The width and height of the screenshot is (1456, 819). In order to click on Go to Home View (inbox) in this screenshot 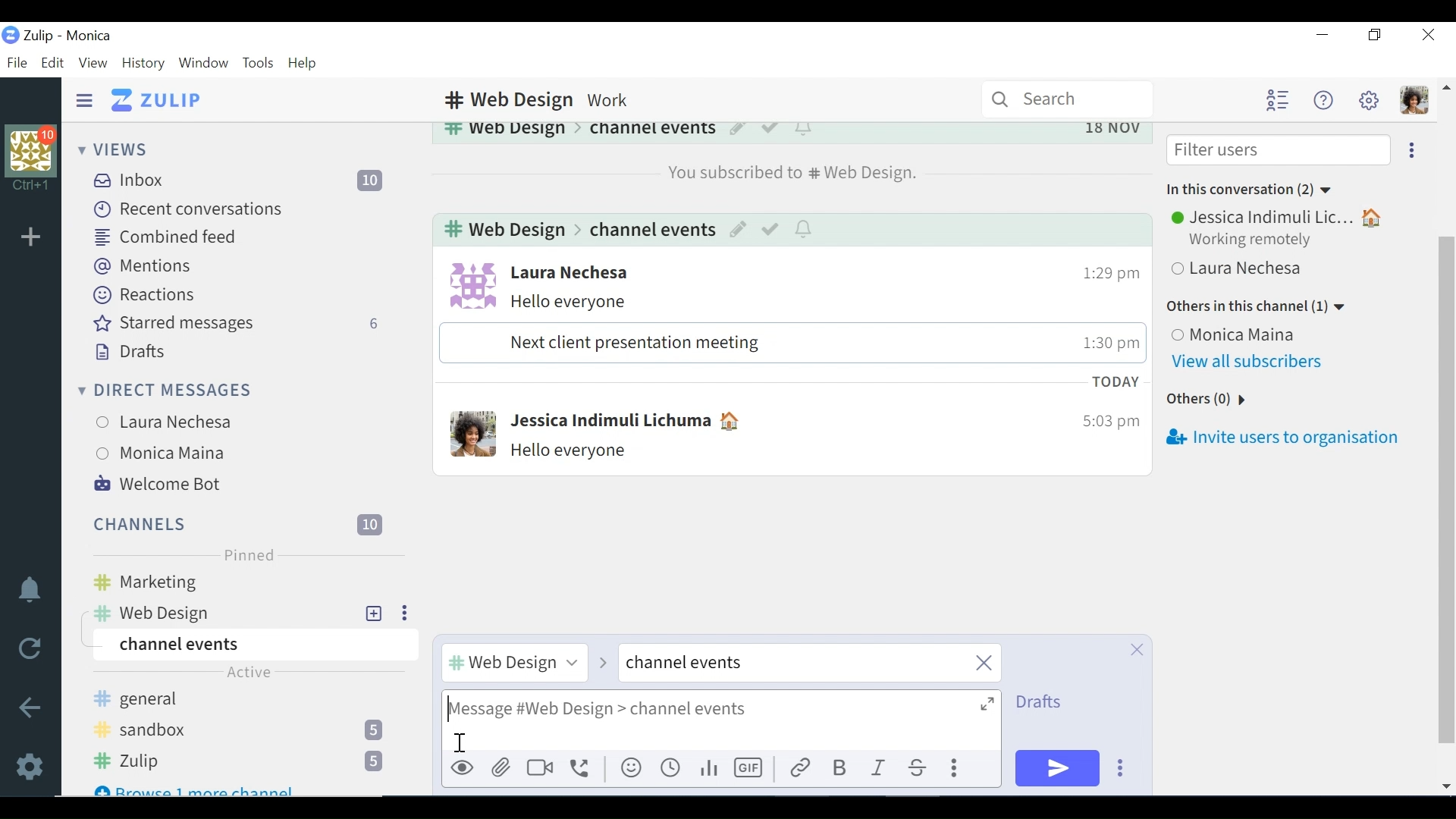, I will do `click(158, 101)`.